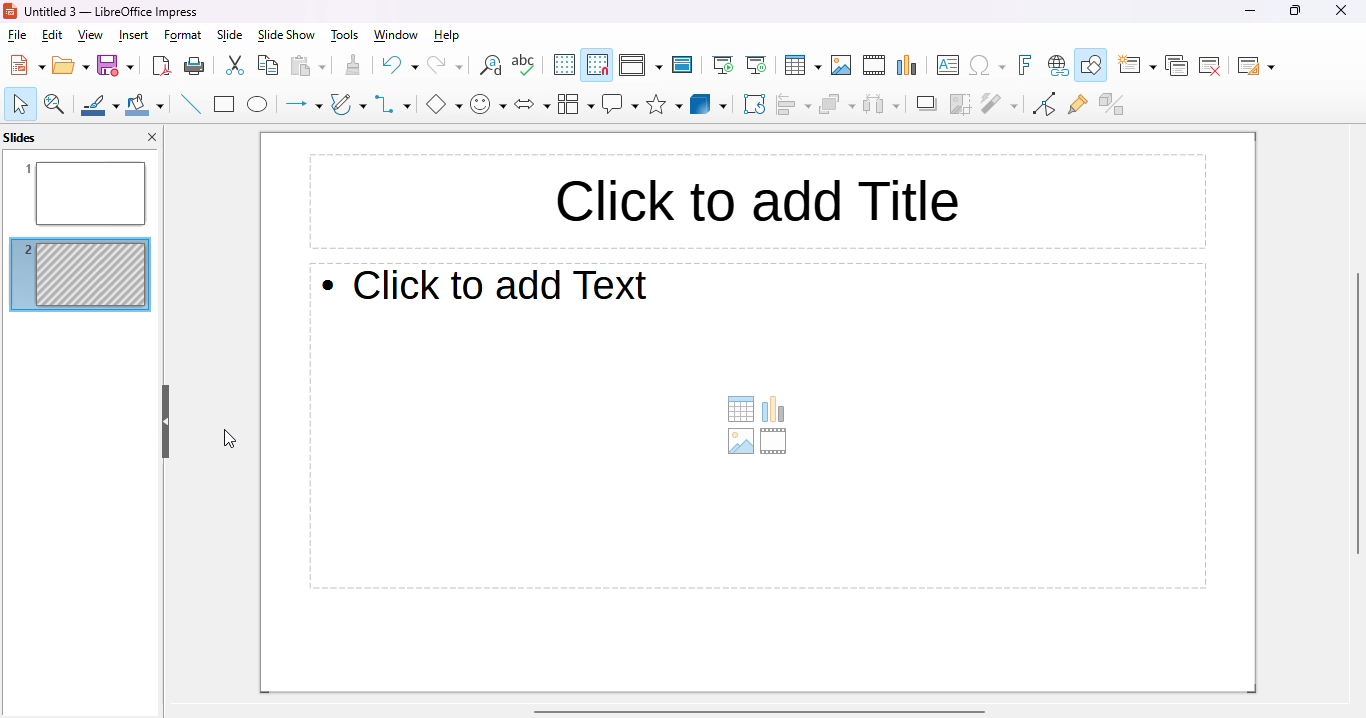 The width and height of the screenshot is (1366, 718). What do you see at coordinates (399, 66) in the screenshot?
I see `undo` at bounding box center [399, 66].